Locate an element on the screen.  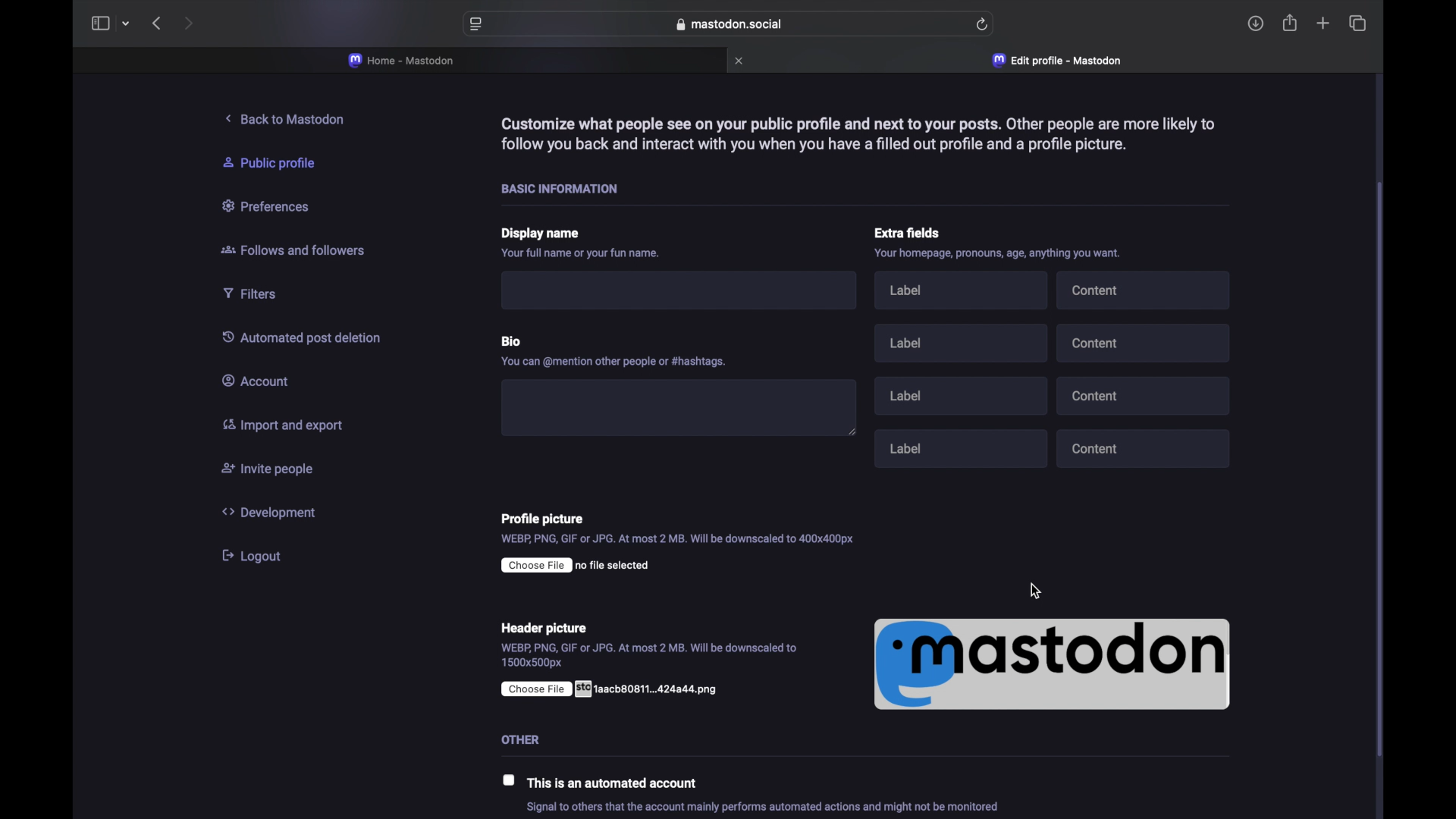
info is located at coordinates (617, 360).